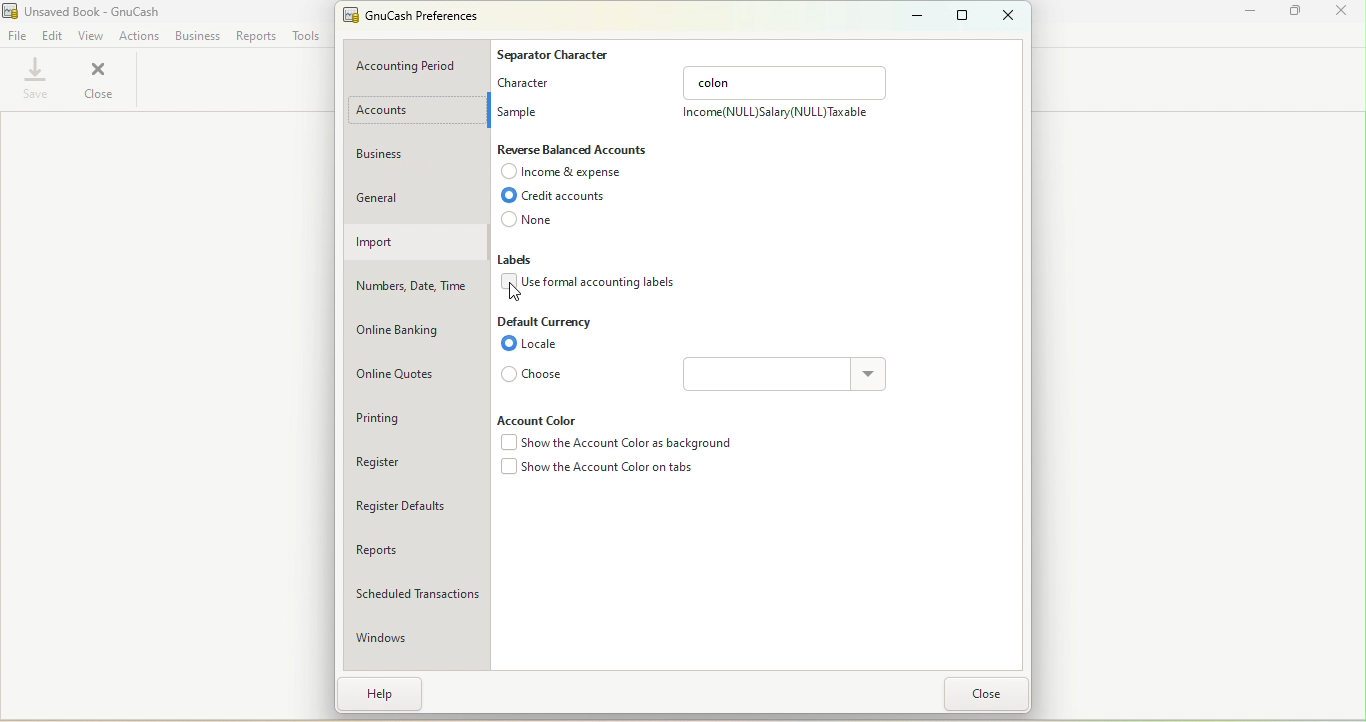 The height and width of the screenshot is (722, 1366). I want to click on Locale, so click(538, 345).